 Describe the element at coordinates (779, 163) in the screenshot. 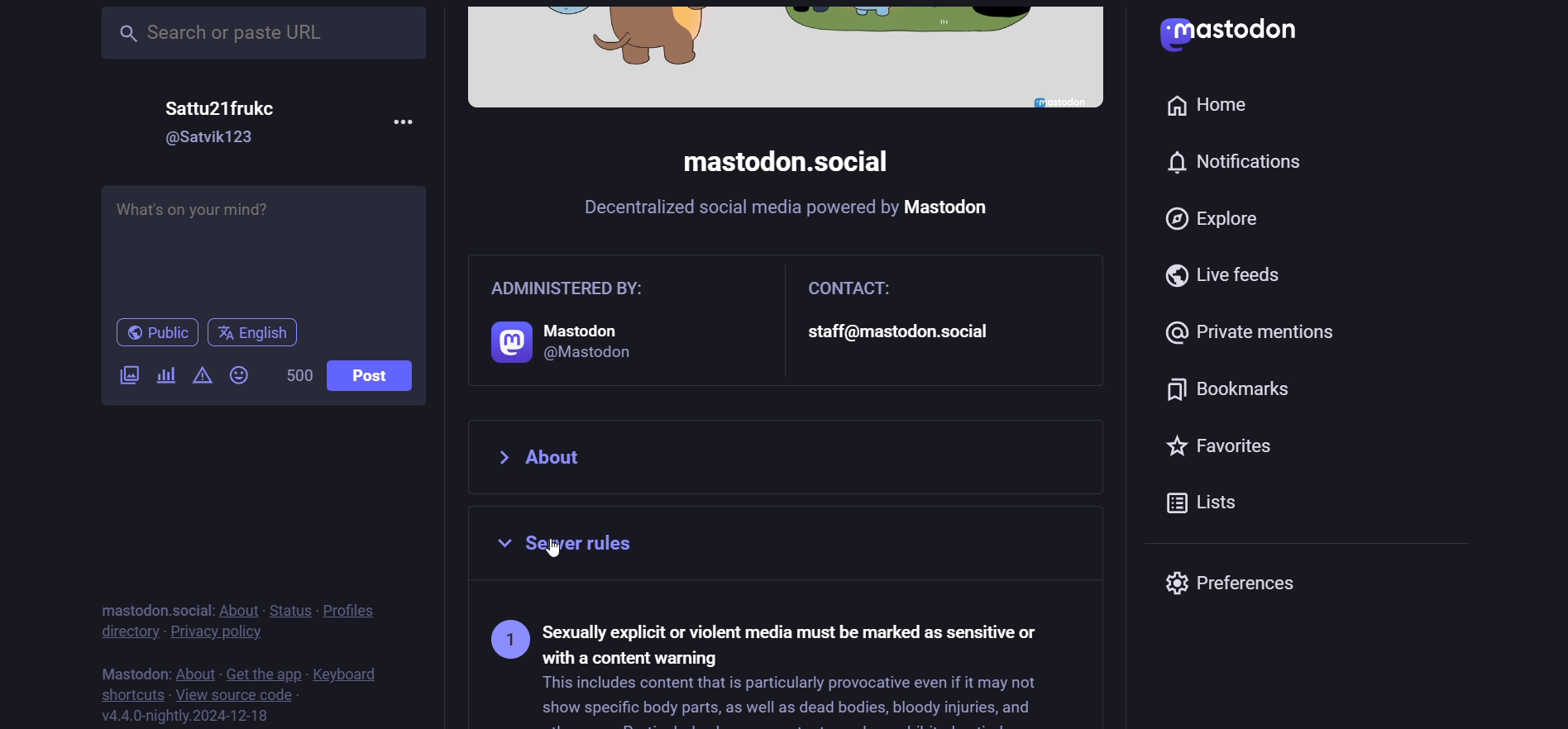

I see `mastodon social` at that location.